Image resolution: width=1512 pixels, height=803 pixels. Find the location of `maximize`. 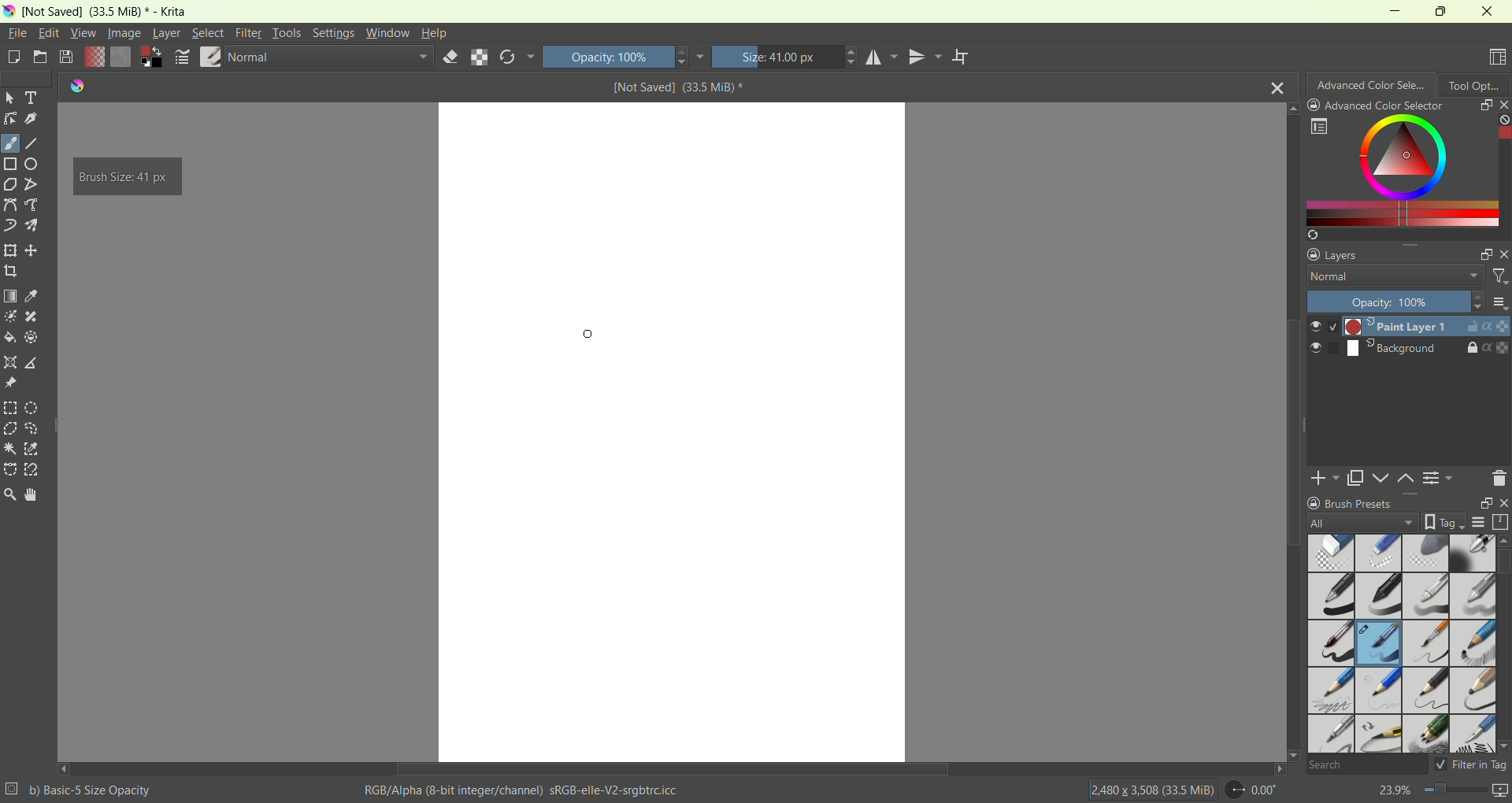

maximize is located at coordinates (1438, 11).